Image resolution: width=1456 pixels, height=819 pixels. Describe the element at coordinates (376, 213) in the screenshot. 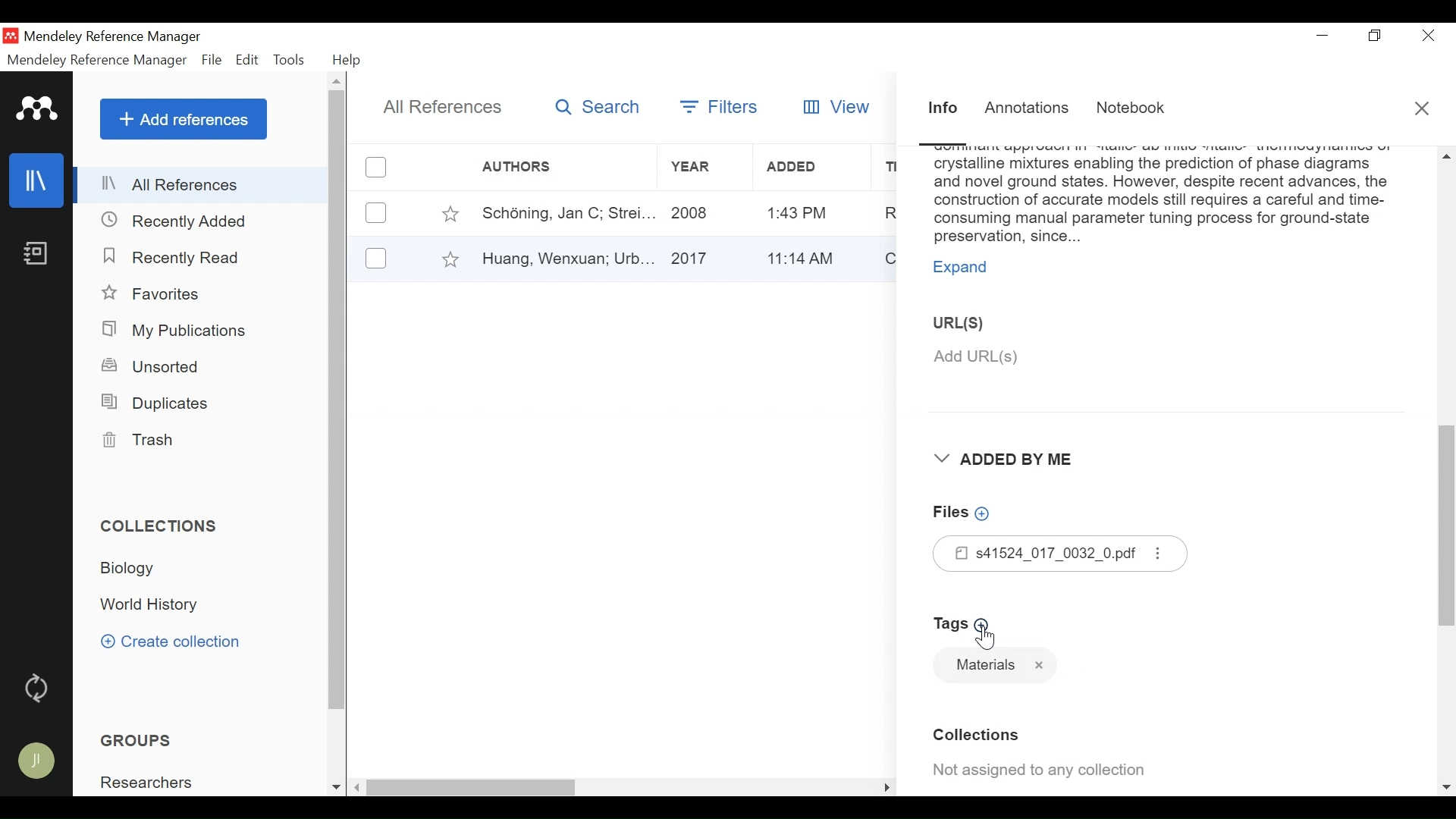

I see `(un)select` at that location.